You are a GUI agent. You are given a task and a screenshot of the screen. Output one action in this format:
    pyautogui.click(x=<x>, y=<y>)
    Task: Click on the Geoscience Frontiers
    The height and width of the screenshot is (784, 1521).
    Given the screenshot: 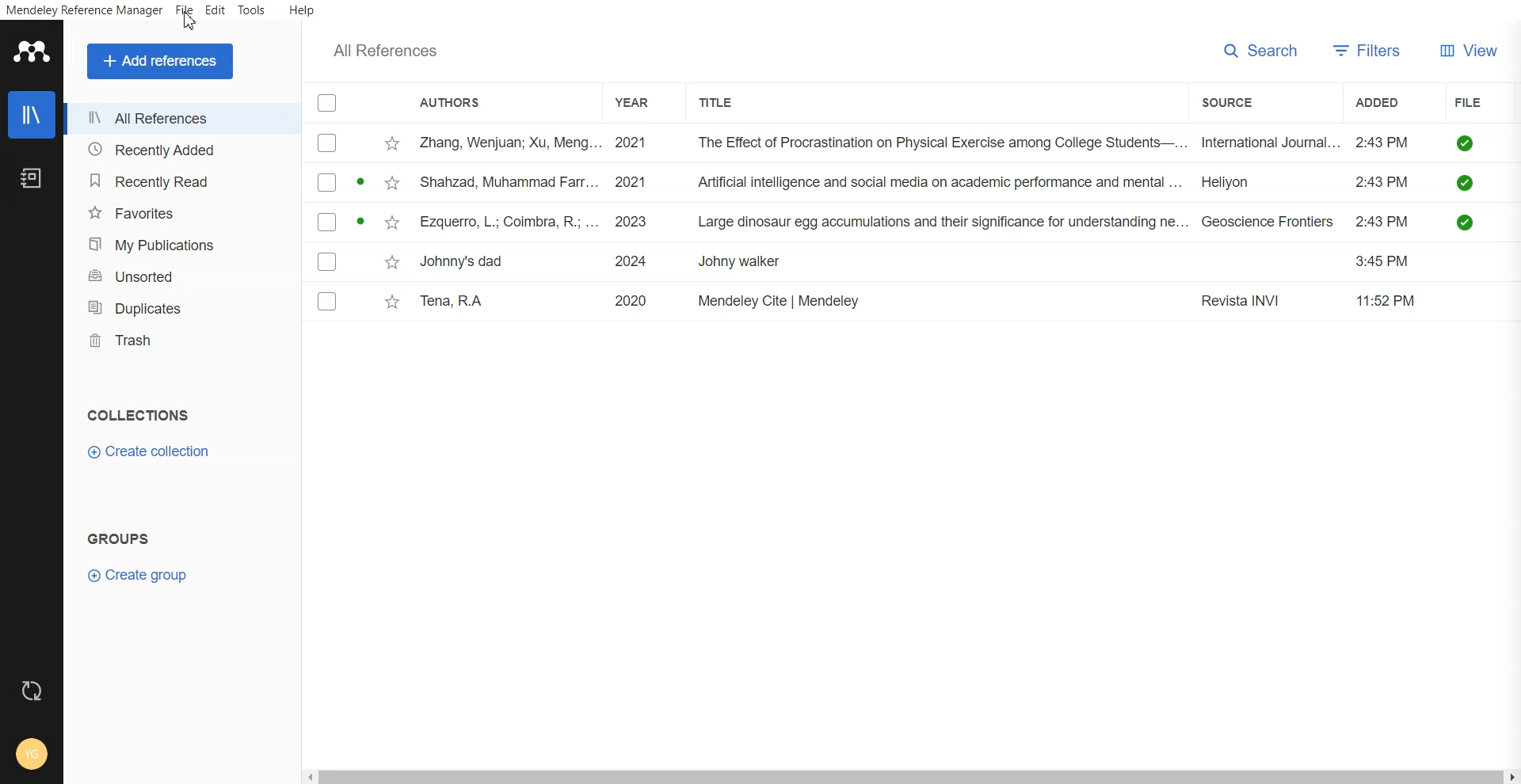 What is the action you would take?
    pyautogui.click(x=1268, y=222)
    